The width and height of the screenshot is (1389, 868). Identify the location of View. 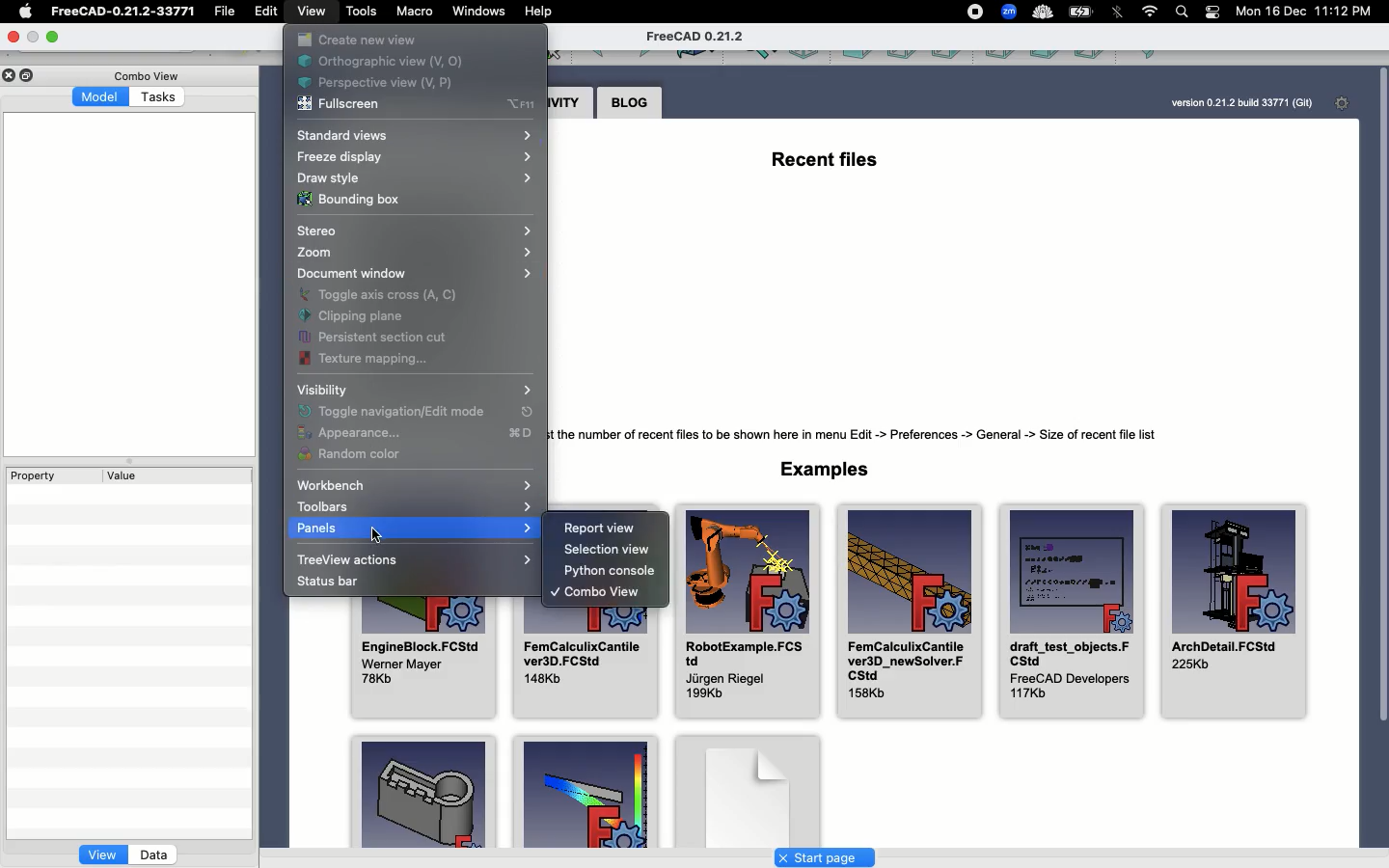
(101, 854).